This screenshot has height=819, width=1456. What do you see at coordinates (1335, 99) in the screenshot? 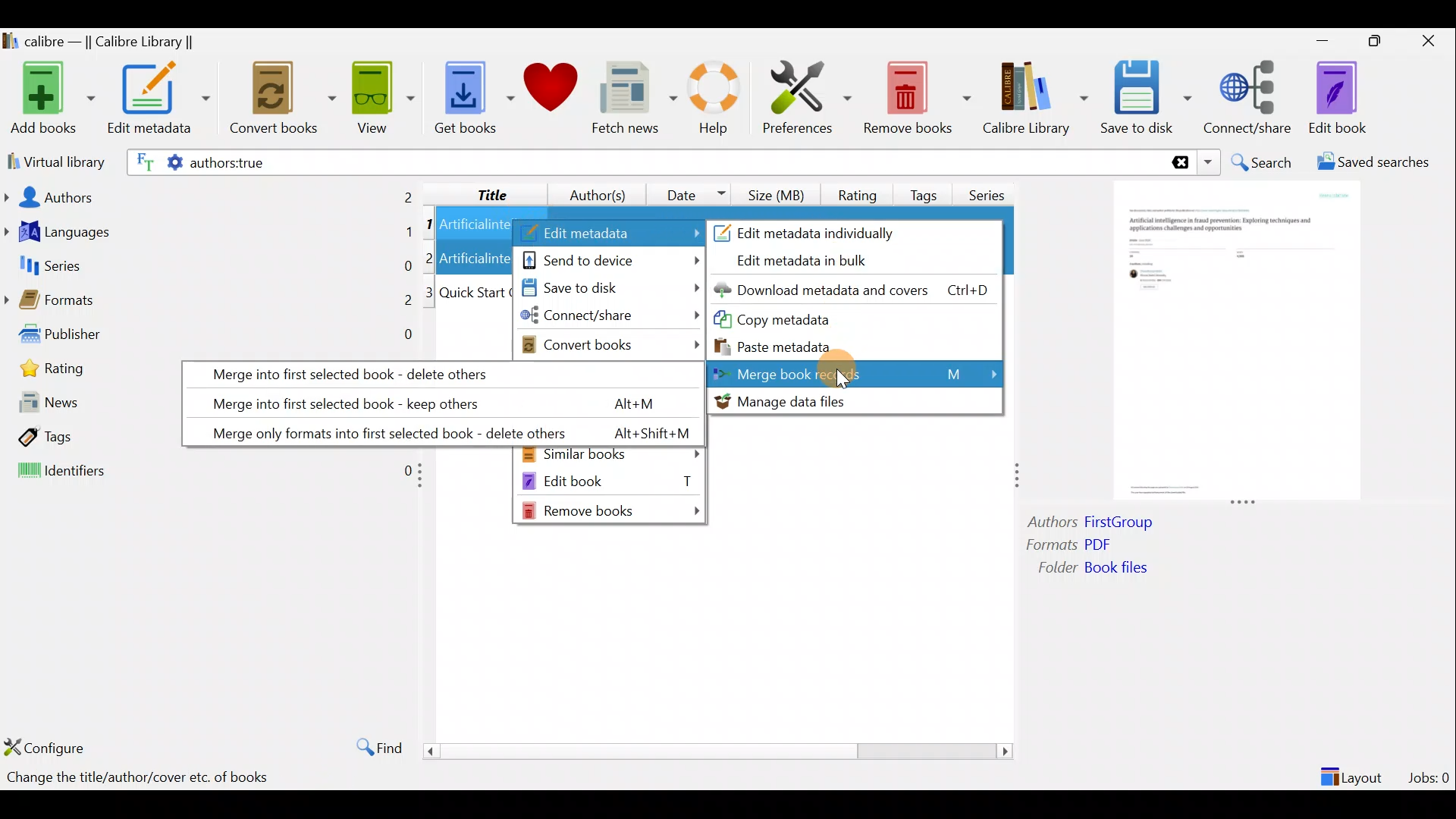
I see `Edit book` at bounding box center [1335, 99].